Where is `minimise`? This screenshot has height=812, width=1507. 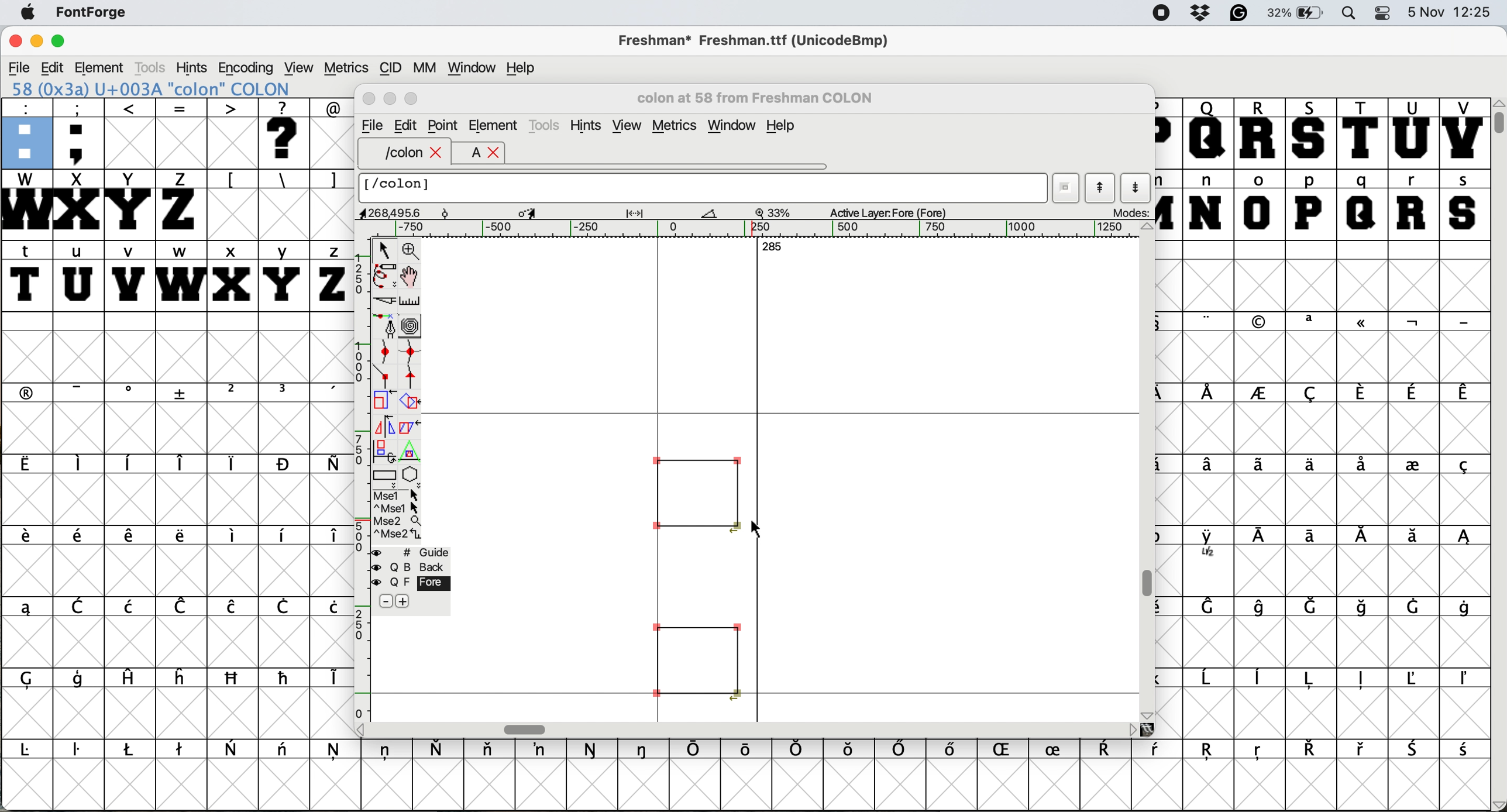 minimise is located at coordinates (390, 99).